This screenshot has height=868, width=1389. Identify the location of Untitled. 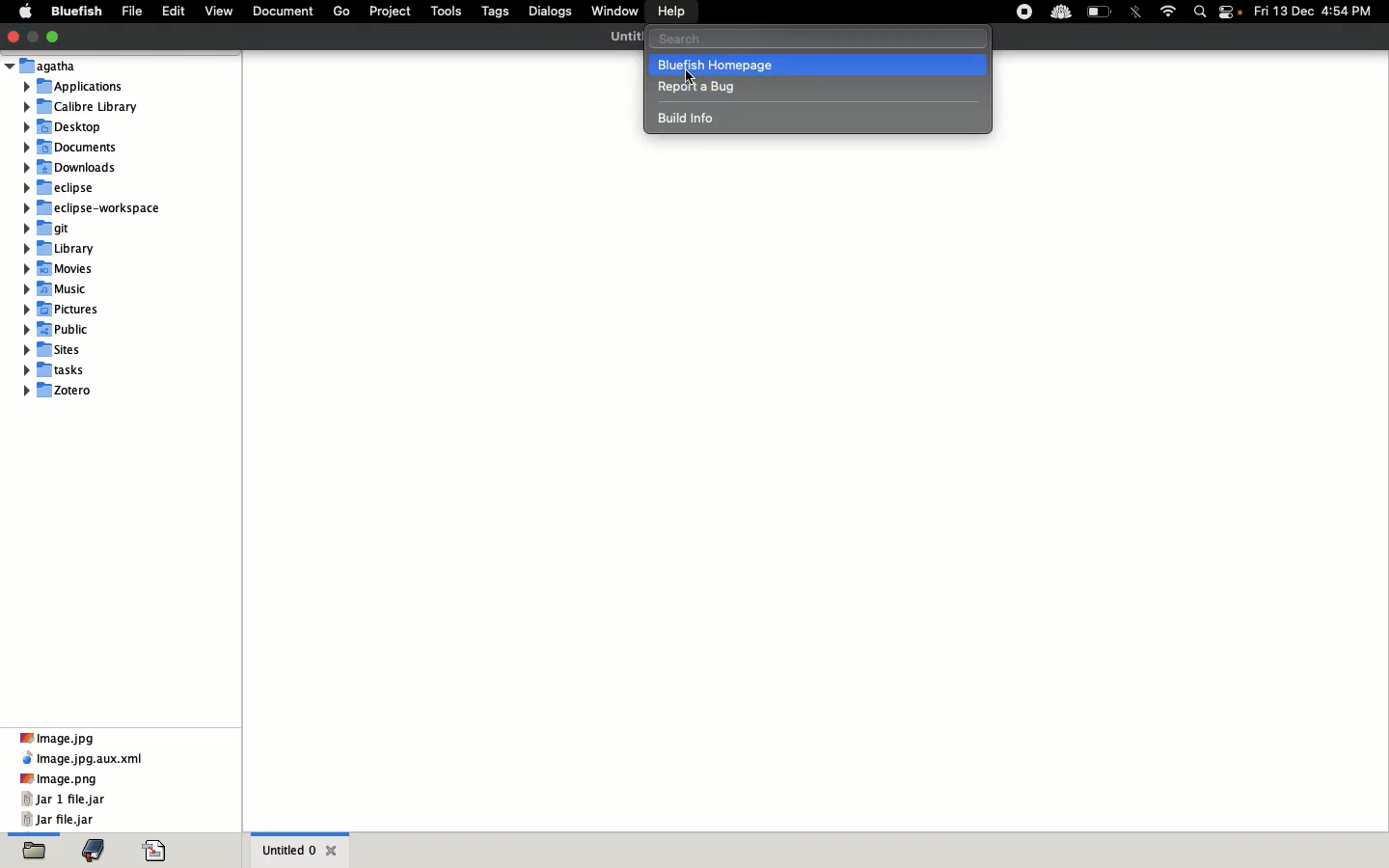
(286, 850).